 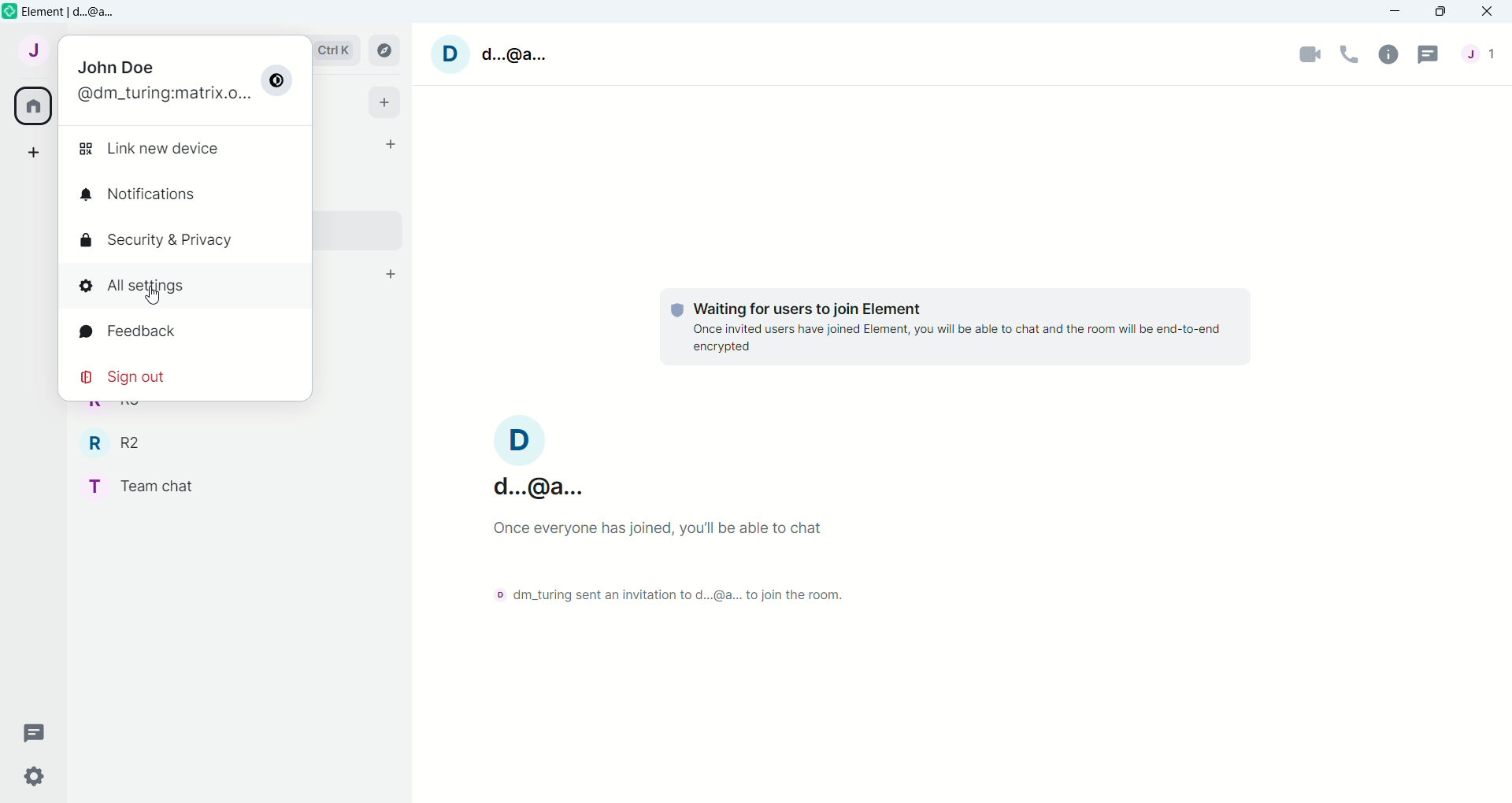 I want to click on Element |@d.., so click(x=74, y=12).